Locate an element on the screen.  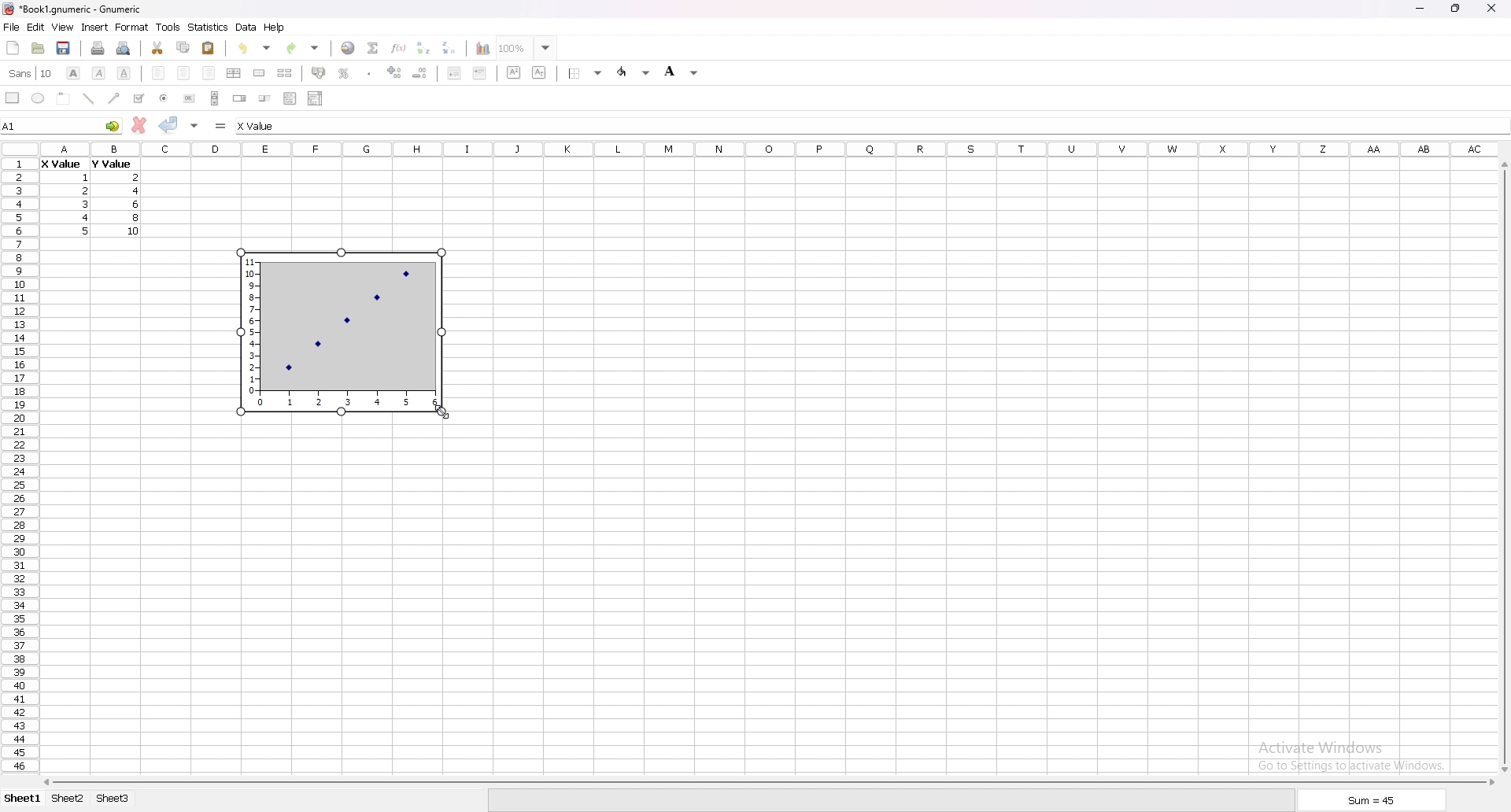
cell input is located at coordinates (272, 126).